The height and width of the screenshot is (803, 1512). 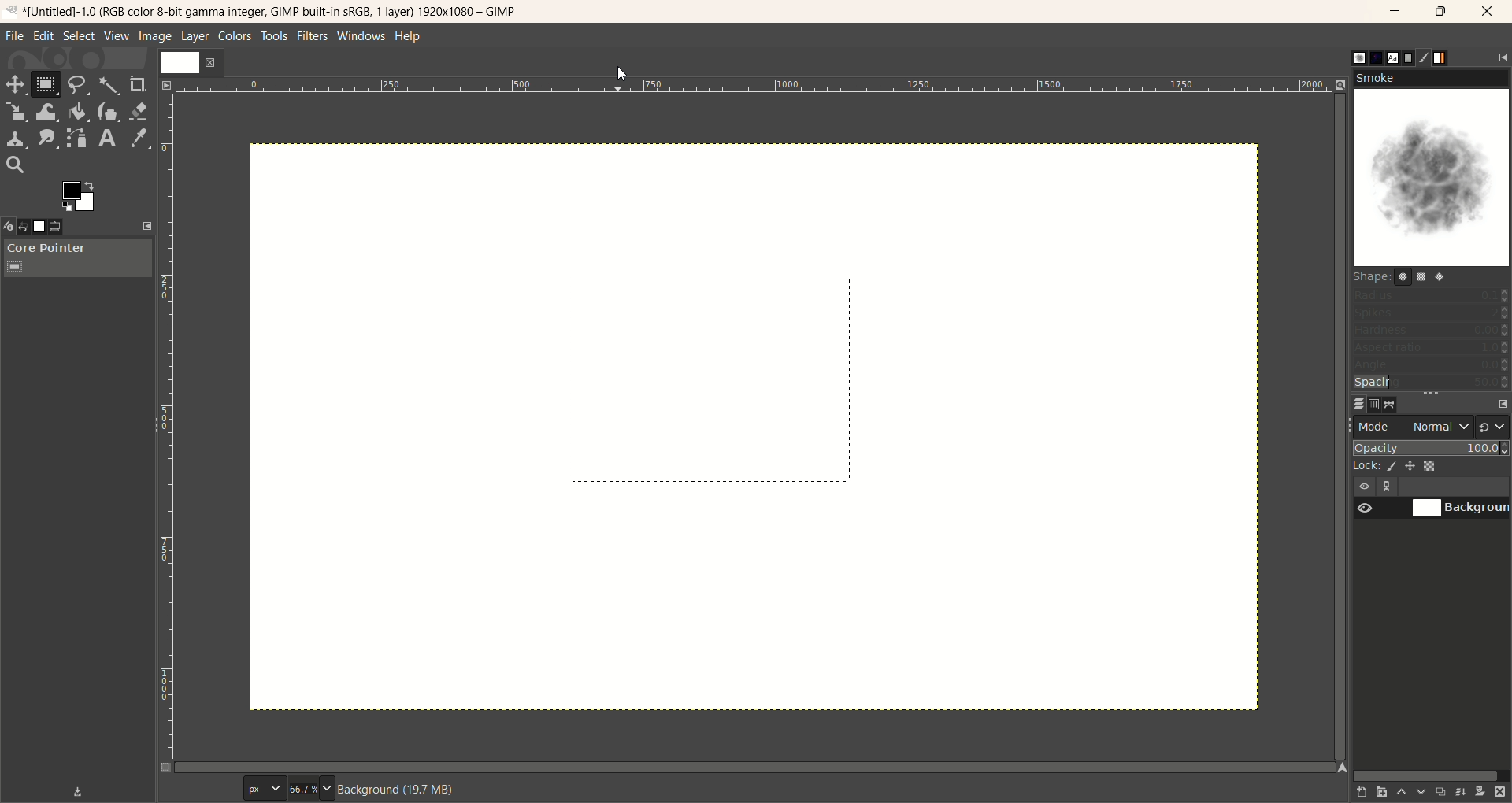 I want to click on spacing, so click(x=1432, y=384).